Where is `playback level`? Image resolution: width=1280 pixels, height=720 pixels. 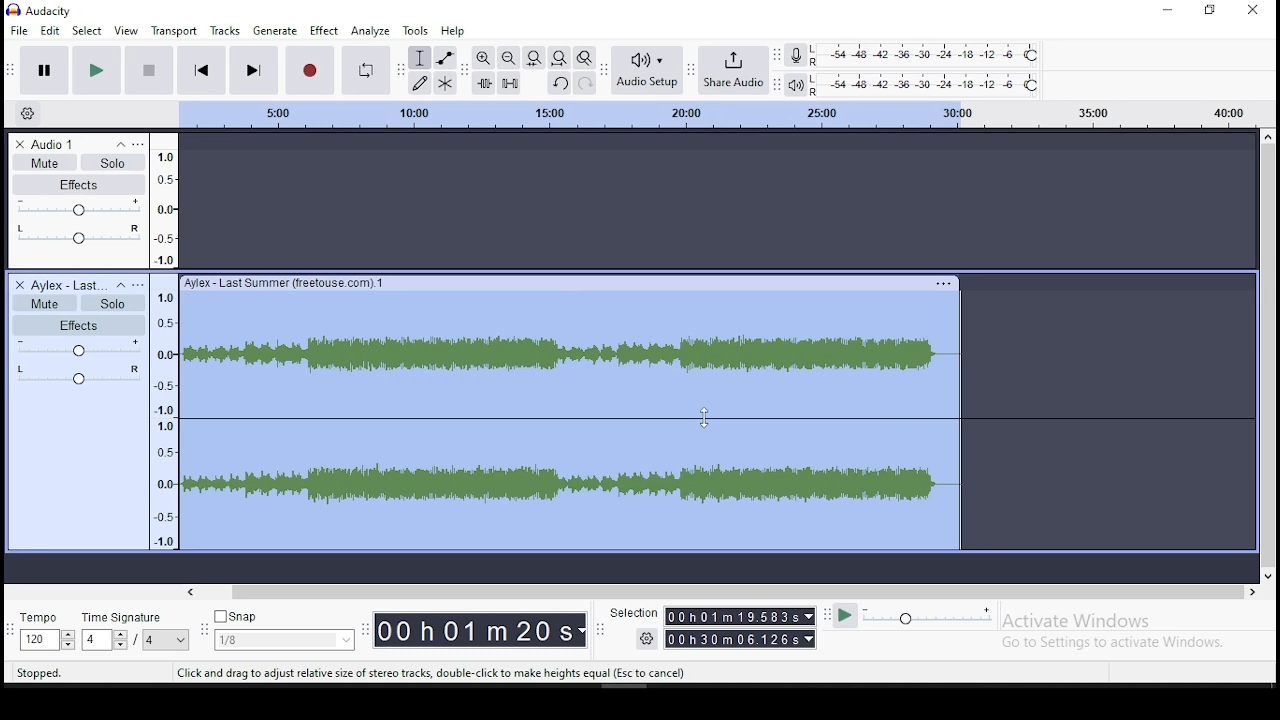
playback level is located at coordinates (925, 83).